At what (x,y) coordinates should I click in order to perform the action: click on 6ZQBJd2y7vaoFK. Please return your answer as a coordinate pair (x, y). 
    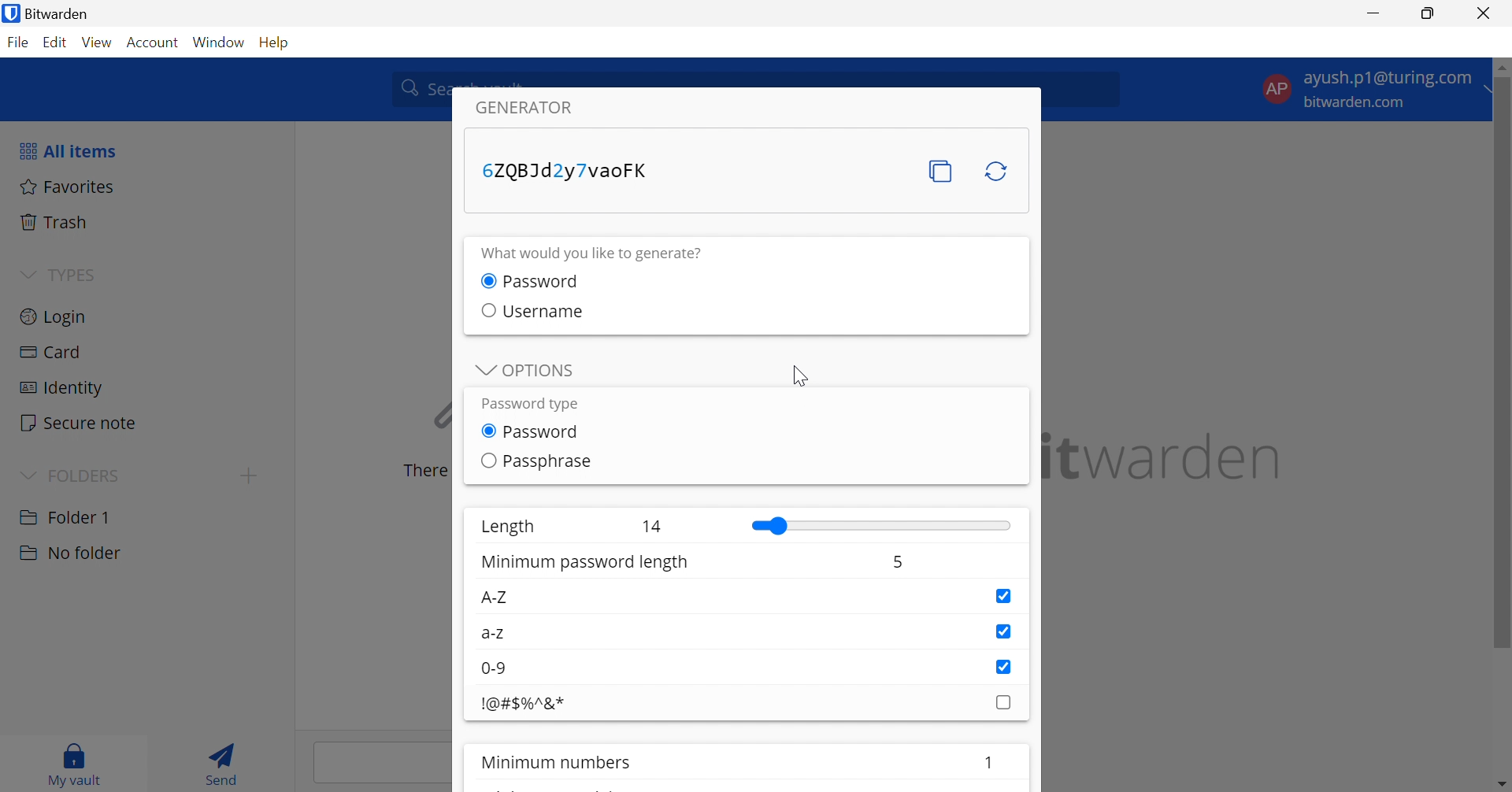
    Looking at the image, I should click on (566, 168).